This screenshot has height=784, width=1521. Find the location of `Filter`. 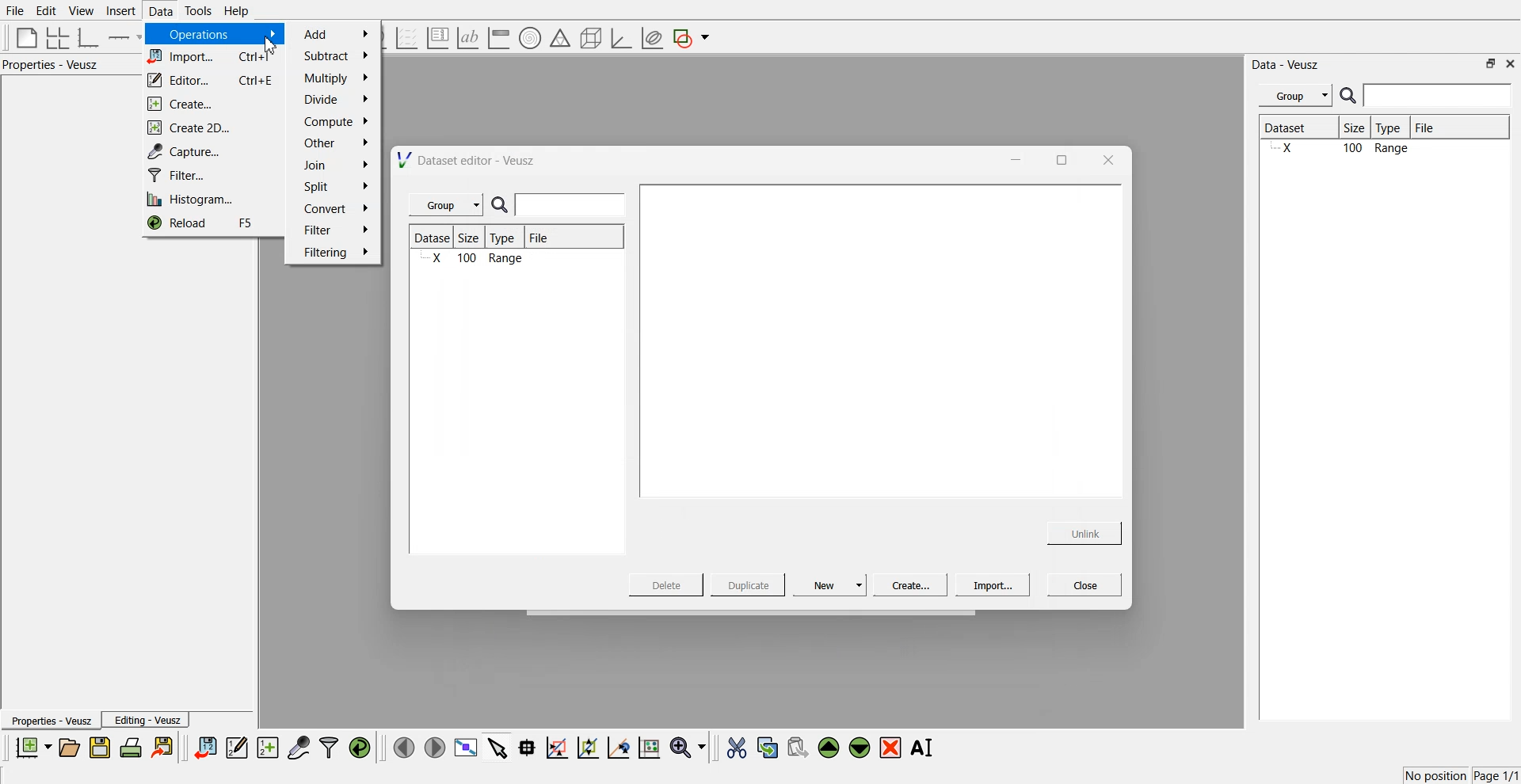

Filter is located at coordinates (335, 229).